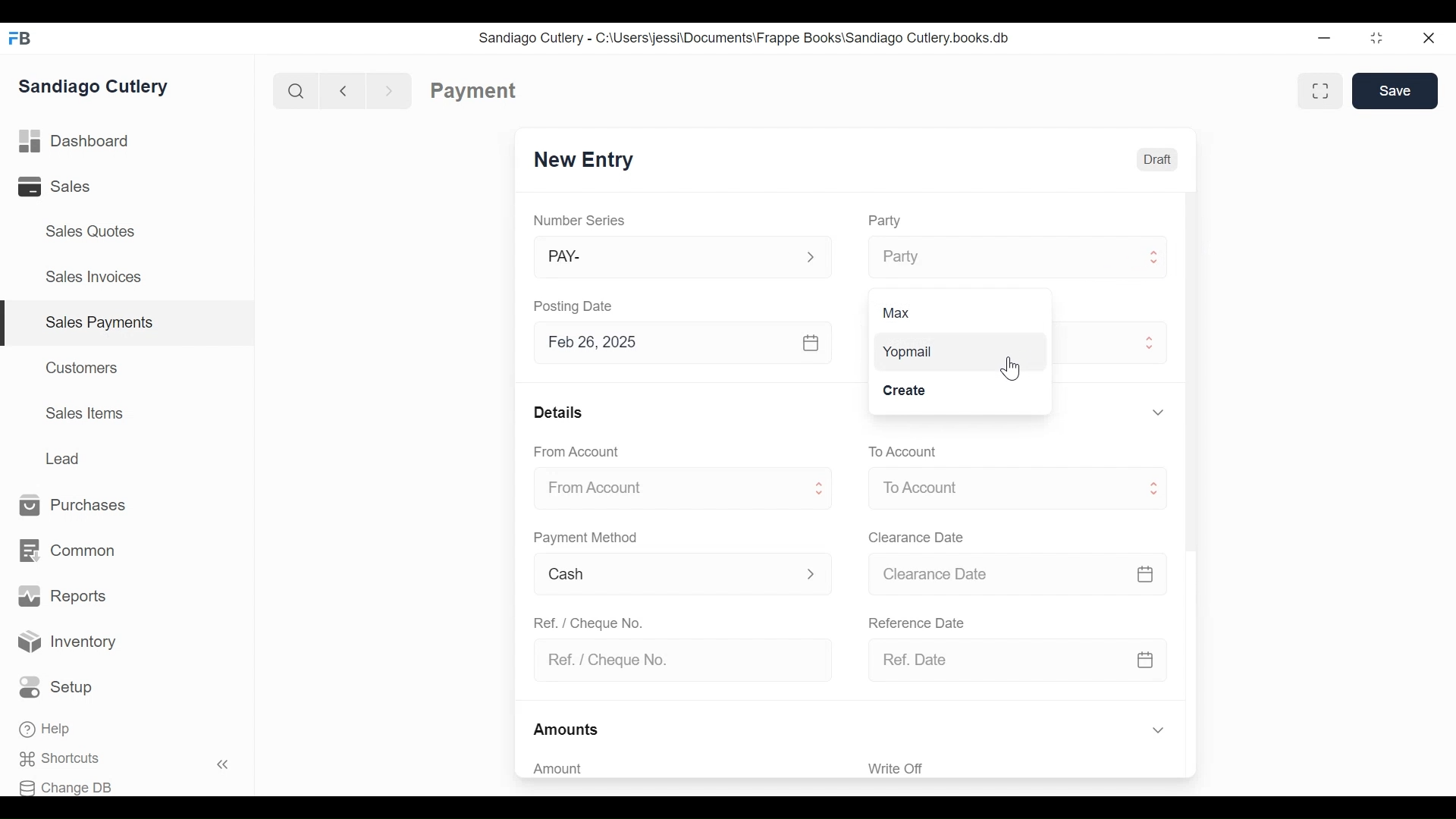  What do you see at coordinates (85, 413) in the screenshot?
I see `Sales Items` at bounding box center [85, 413].